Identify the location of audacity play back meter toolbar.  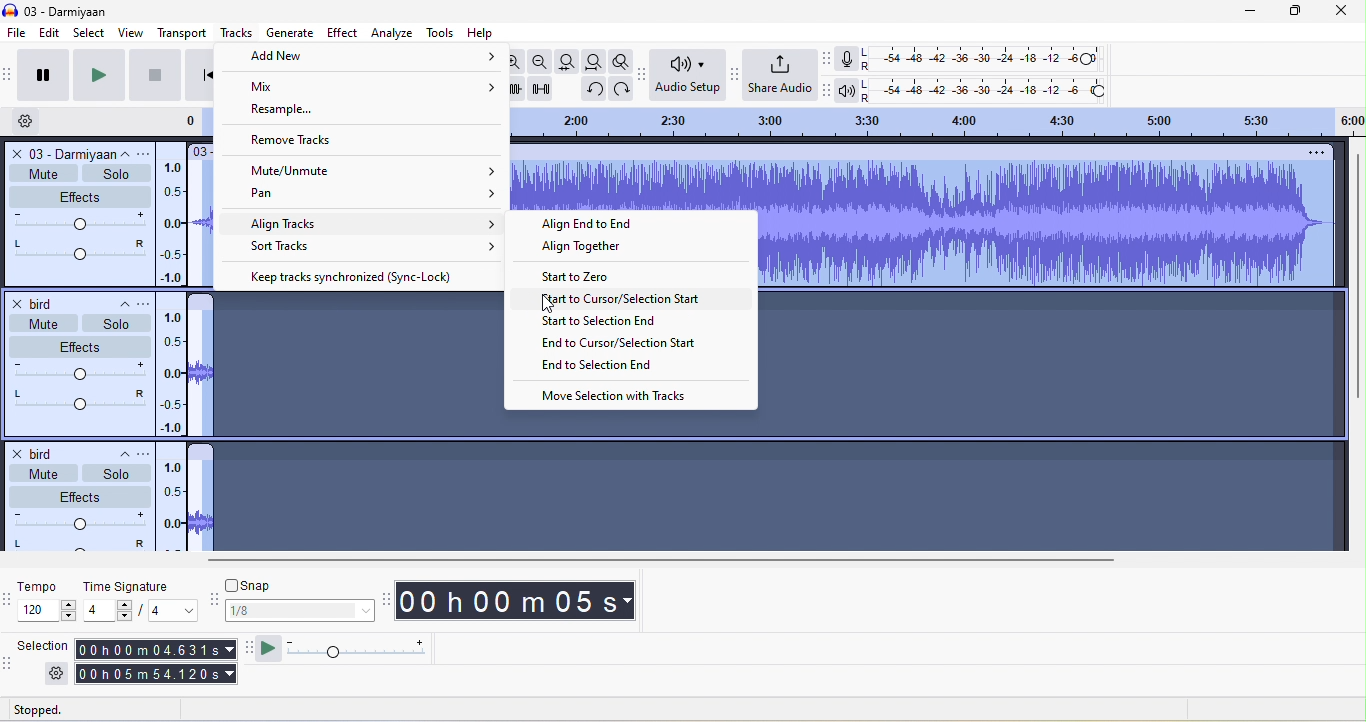
(832, 90).